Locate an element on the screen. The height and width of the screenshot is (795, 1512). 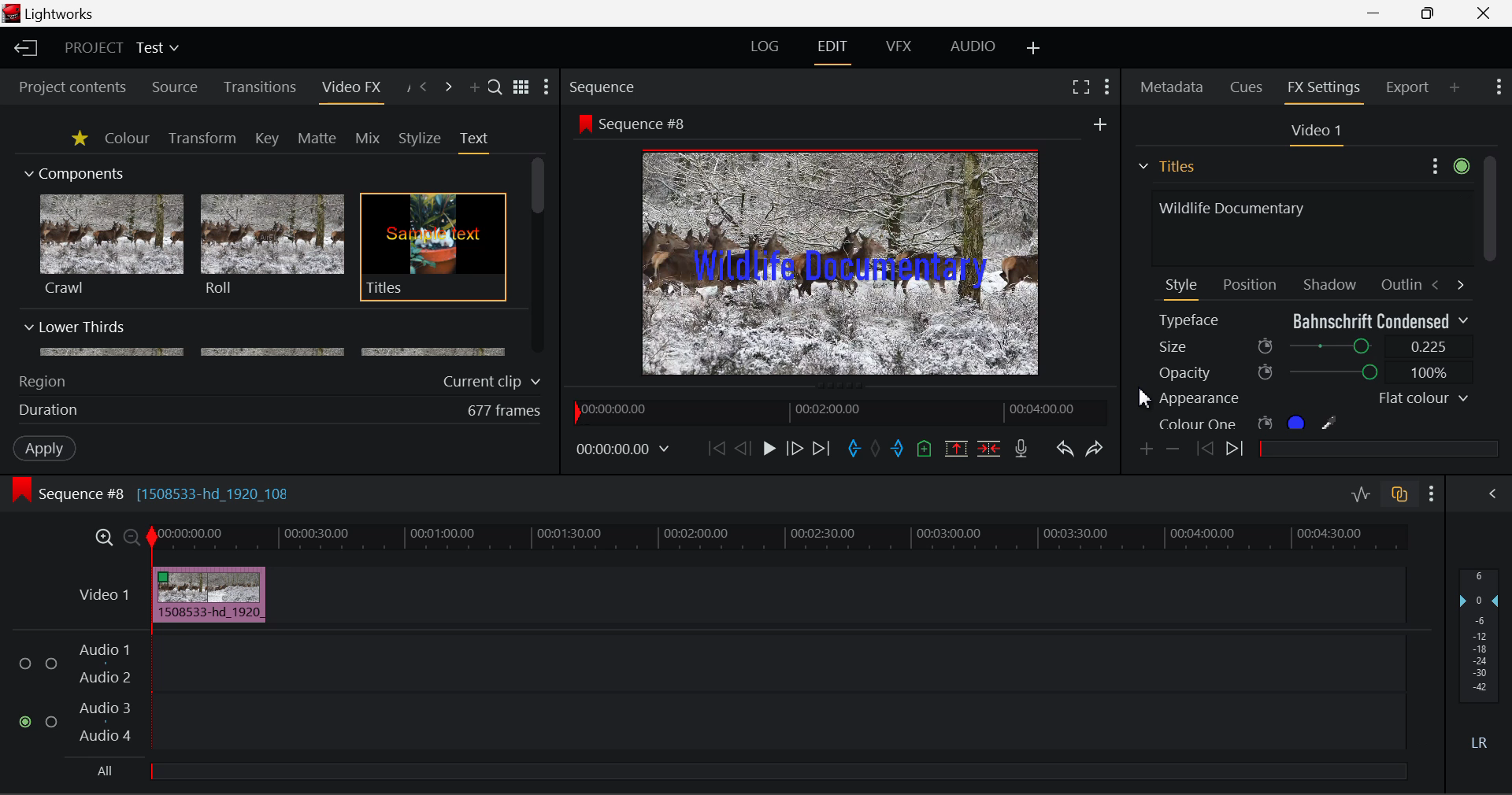
Mark In is located at coordinates (854, 451).